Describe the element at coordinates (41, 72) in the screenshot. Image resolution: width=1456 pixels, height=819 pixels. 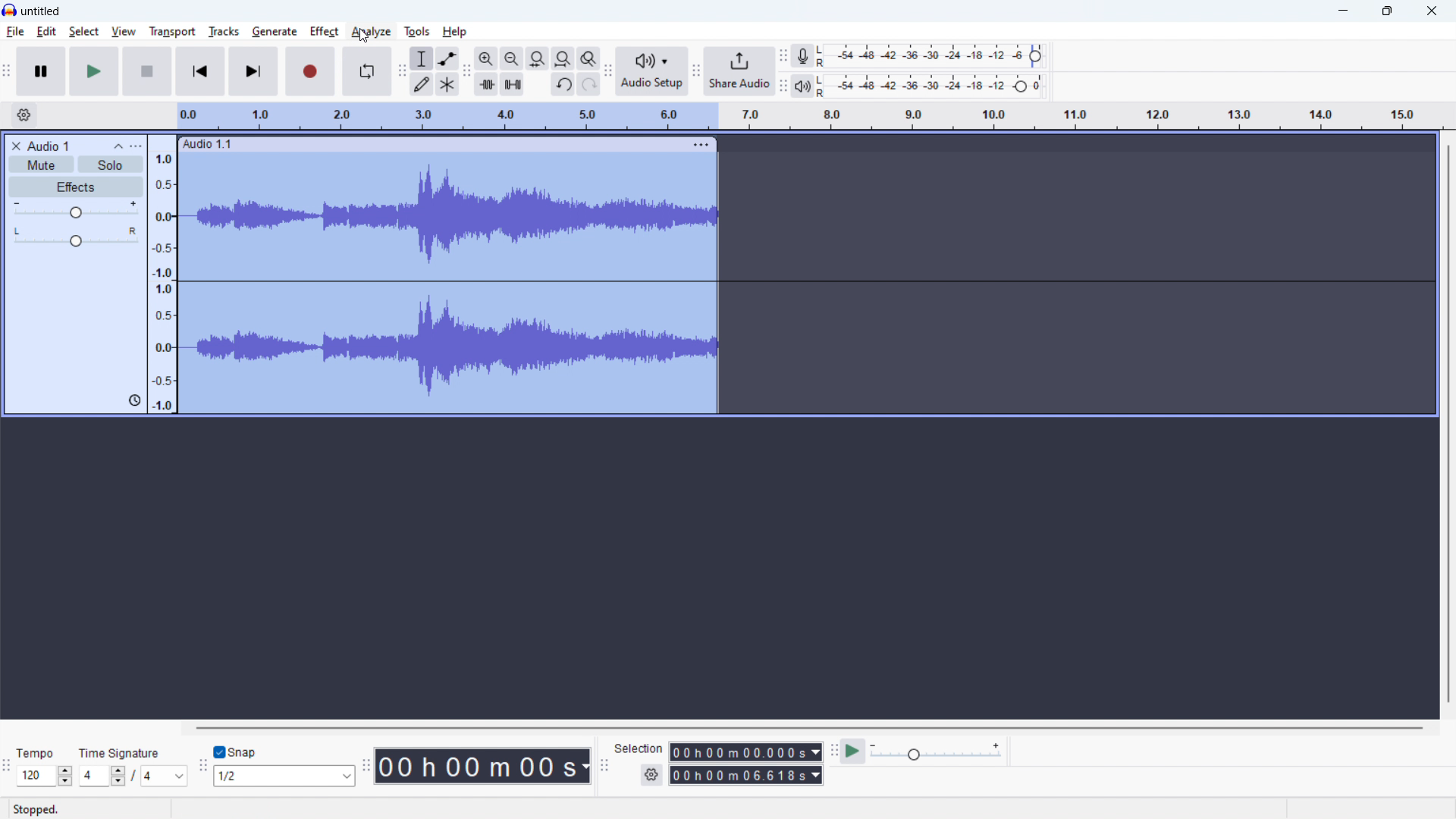
I see `pause` at that location.